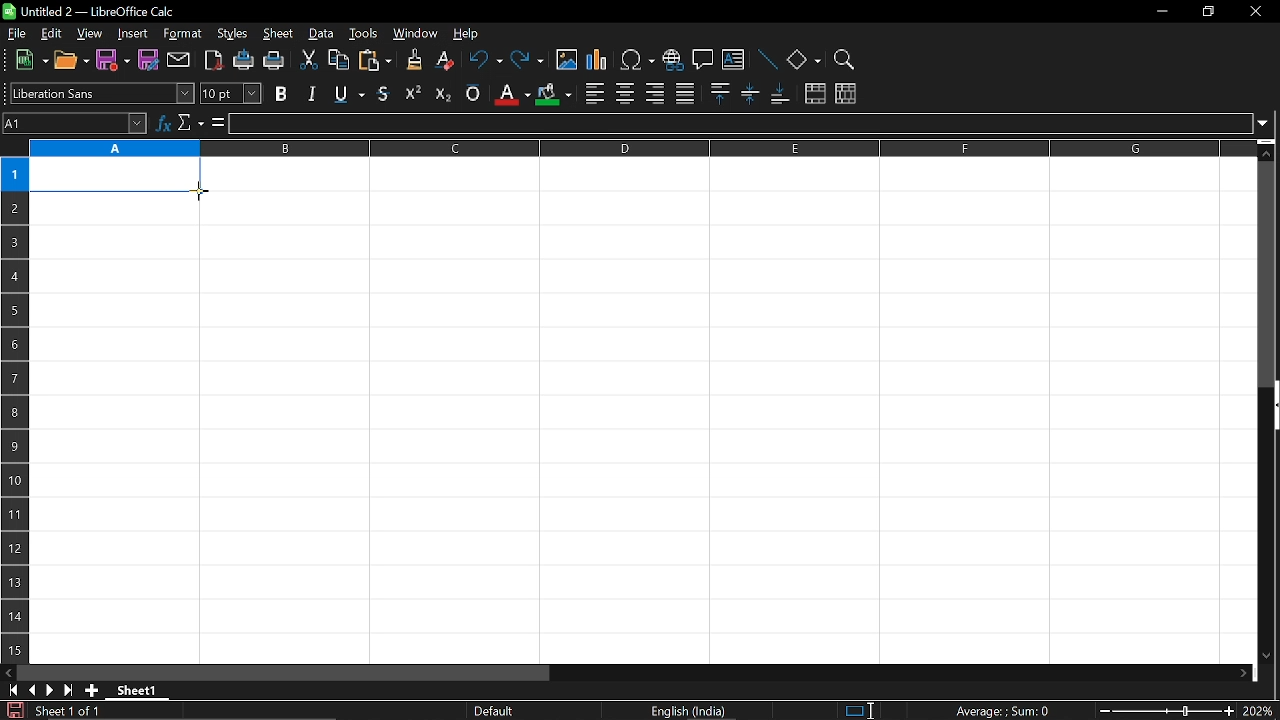 Image resolution: width=1280 pixels, height=720 pixels. I want to click on align bottom, so click(779, 95).